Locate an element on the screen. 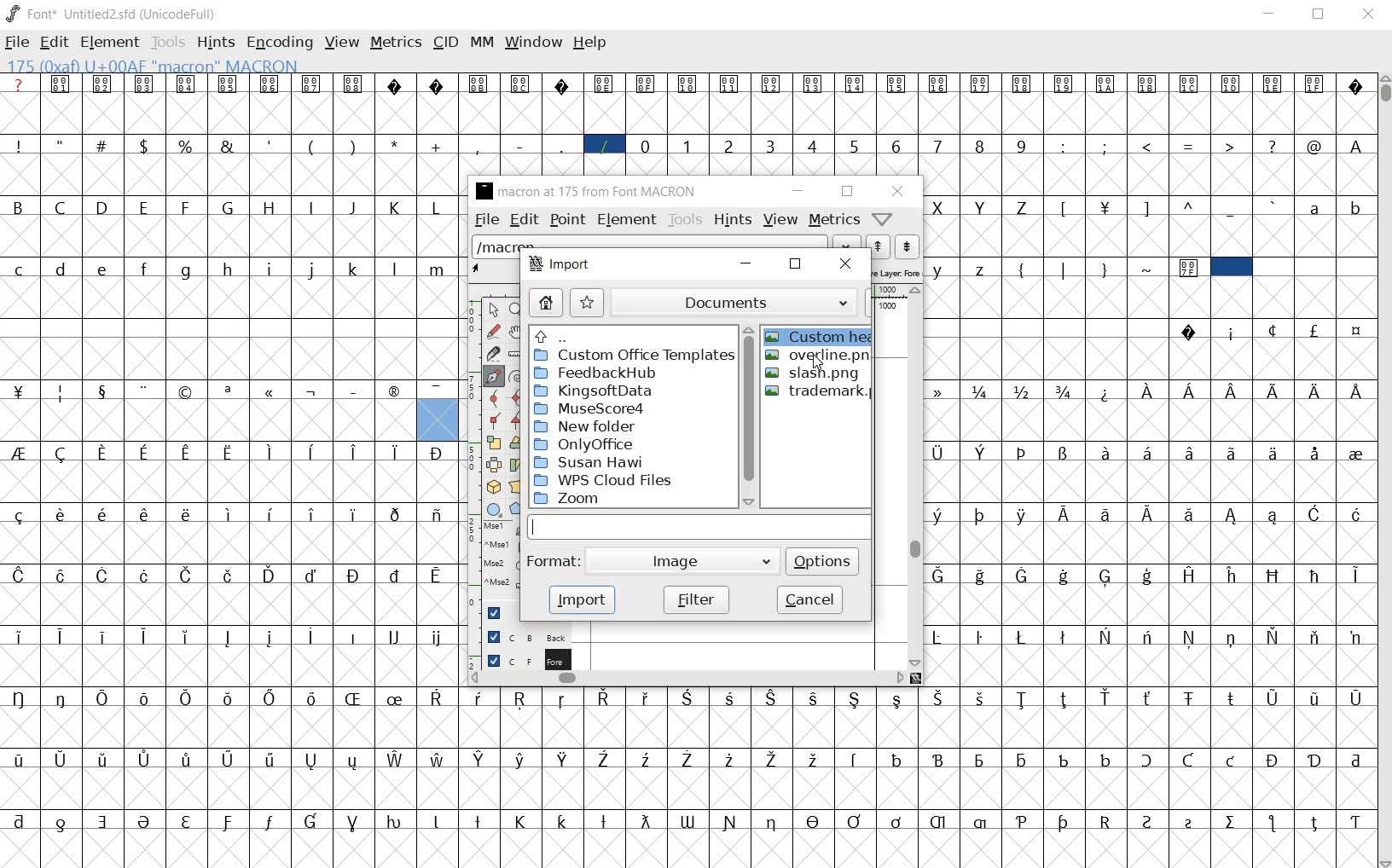 This screenshot has width=1392, height=868. spiro is located at coordinates (514, 374).